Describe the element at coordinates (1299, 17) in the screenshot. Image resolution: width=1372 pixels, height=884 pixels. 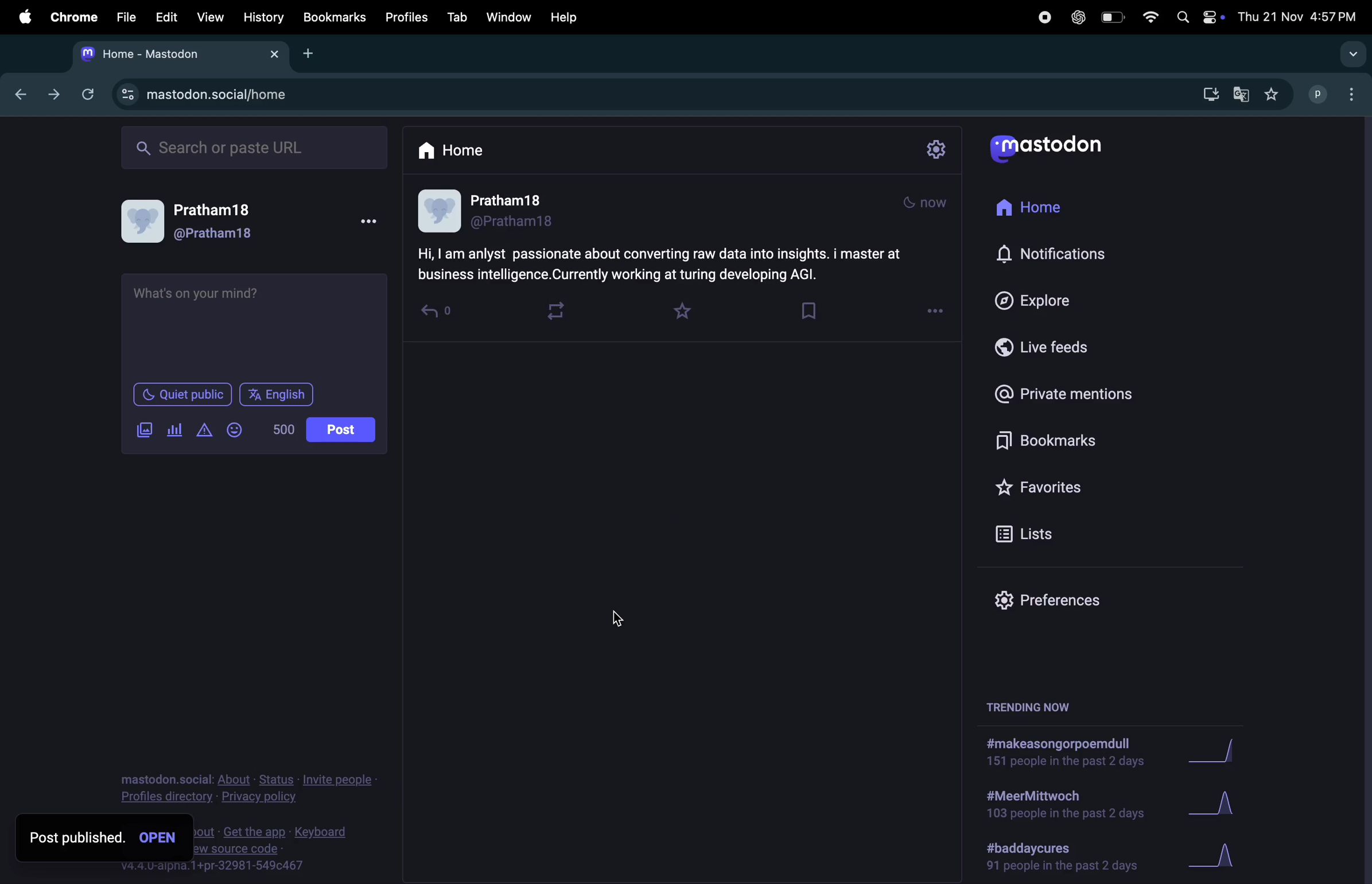
I see `date and time` at that location.